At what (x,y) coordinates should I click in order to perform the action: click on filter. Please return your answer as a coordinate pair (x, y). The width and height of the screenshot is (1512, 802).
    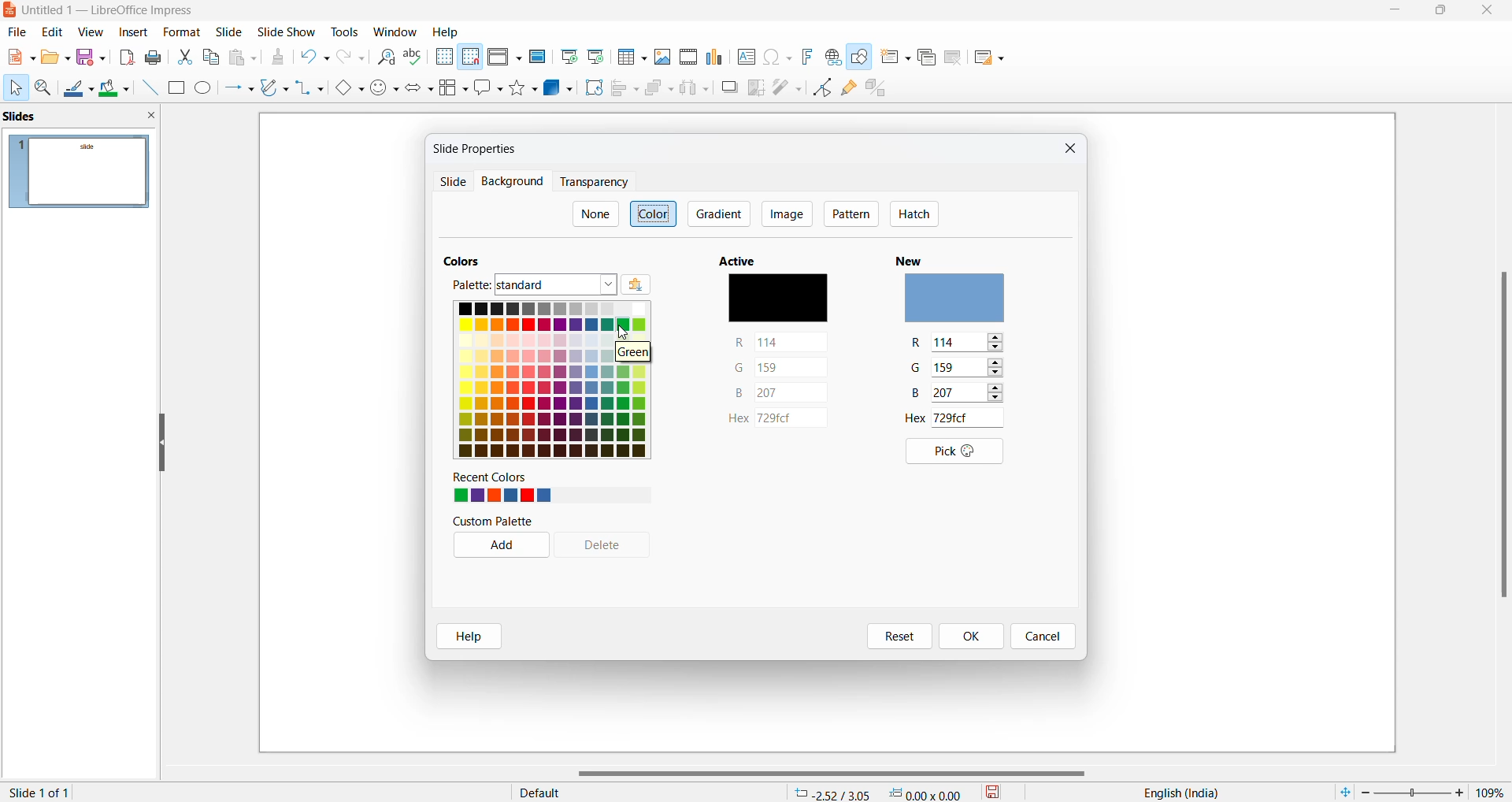
    Looking at the image, I should click on (787, 86).